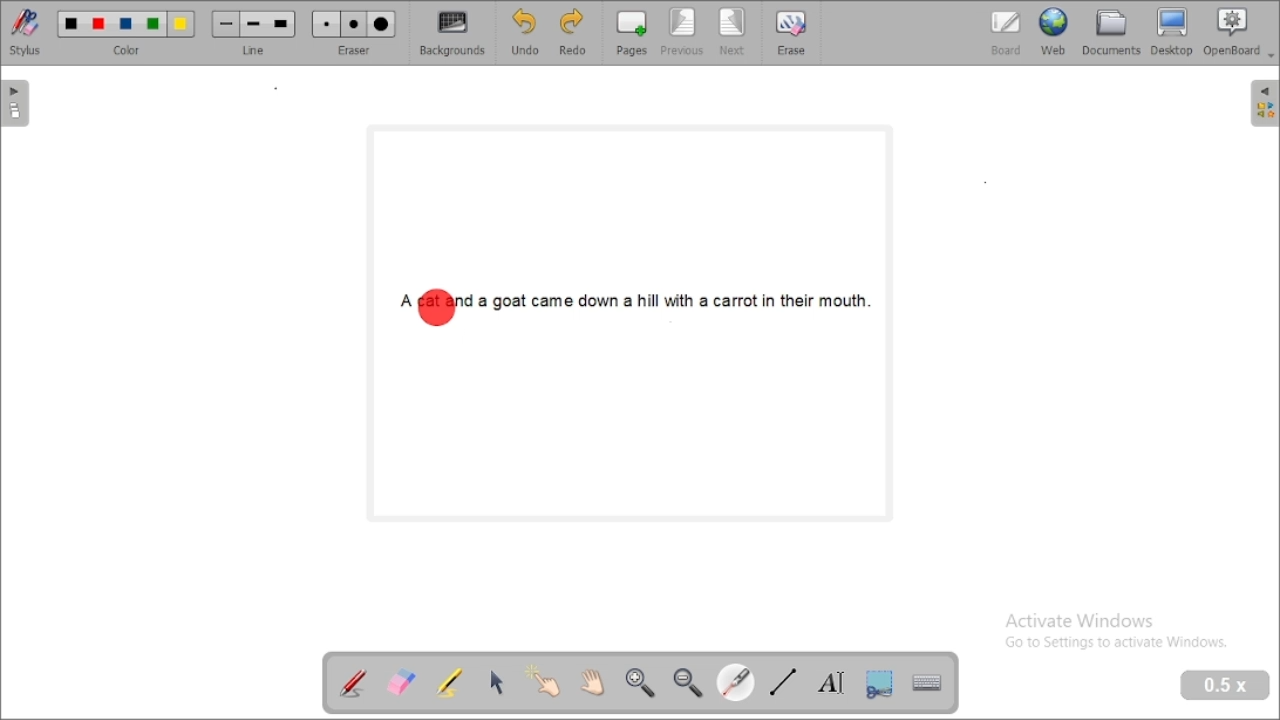 Image resolution: width=1280 pixels, height=720 pixels. I want to click on write text, so click(830, 682).